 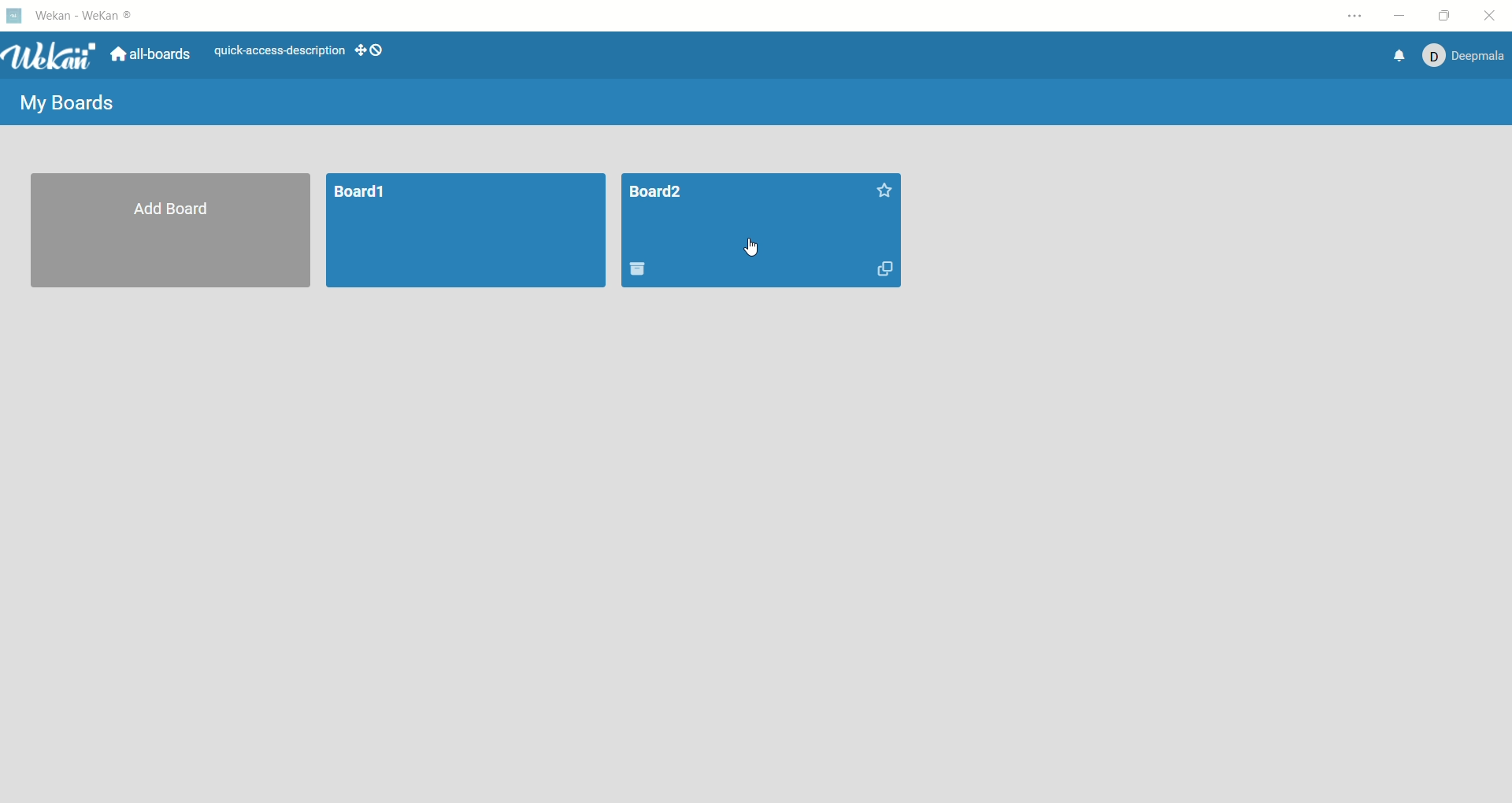 I want to click on minimize, so click(x=1397, y=18).